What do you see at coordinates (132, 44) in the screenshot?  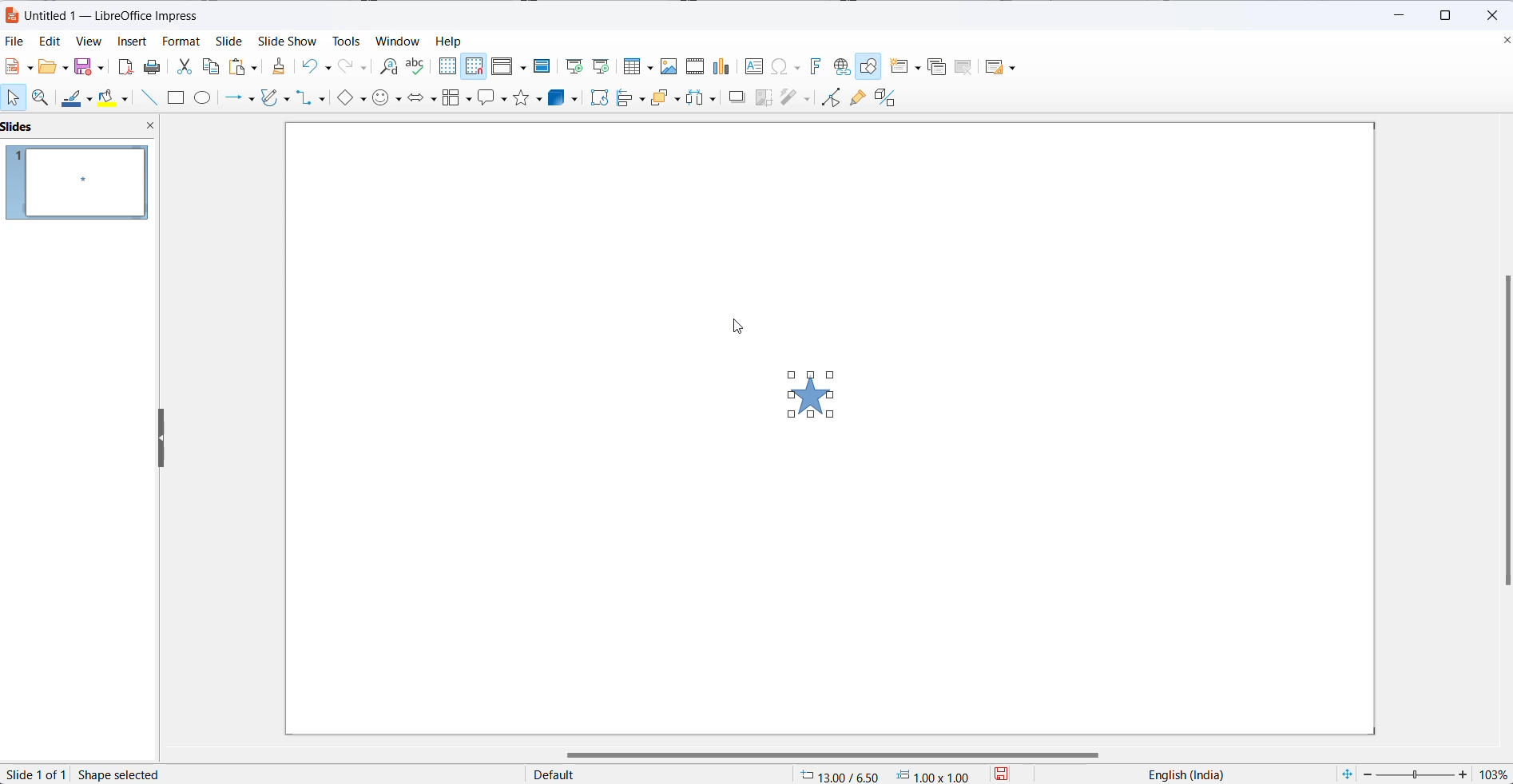 I see `insert ` at bounding box center [132, 44].